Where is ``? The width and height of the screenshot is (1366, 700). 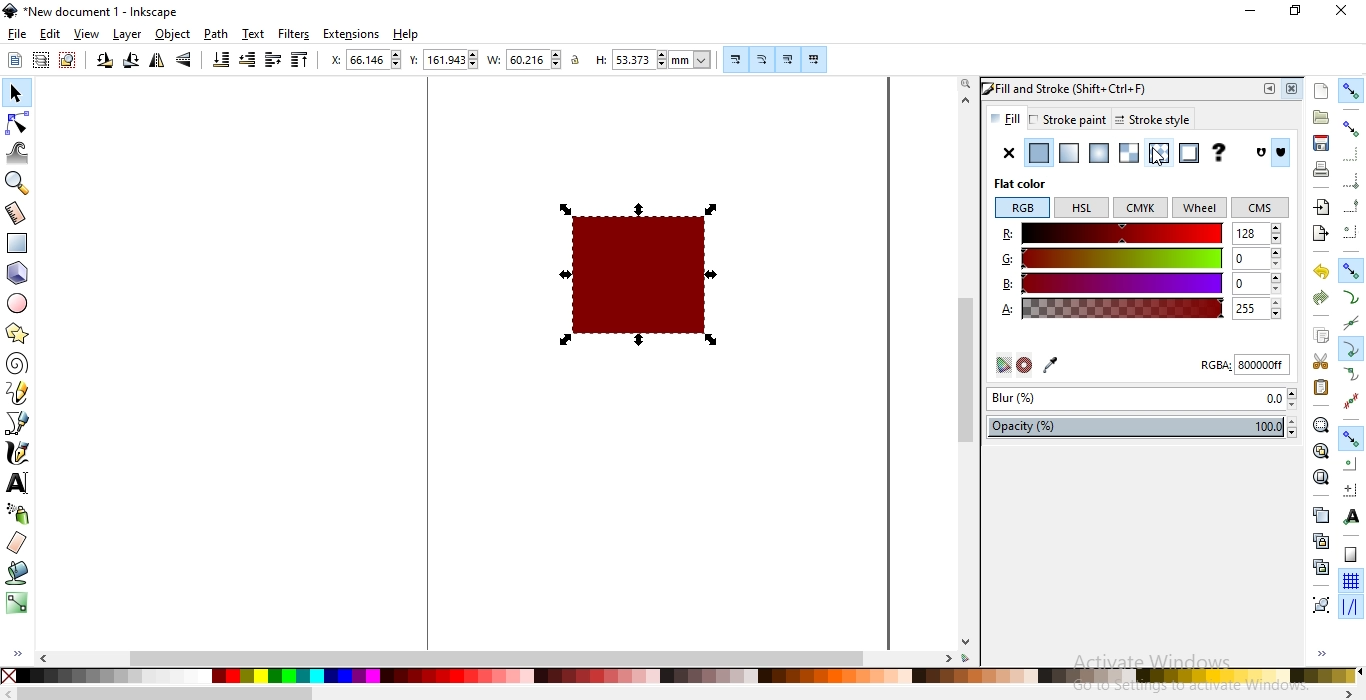
 is located at coordinates (166, 693).